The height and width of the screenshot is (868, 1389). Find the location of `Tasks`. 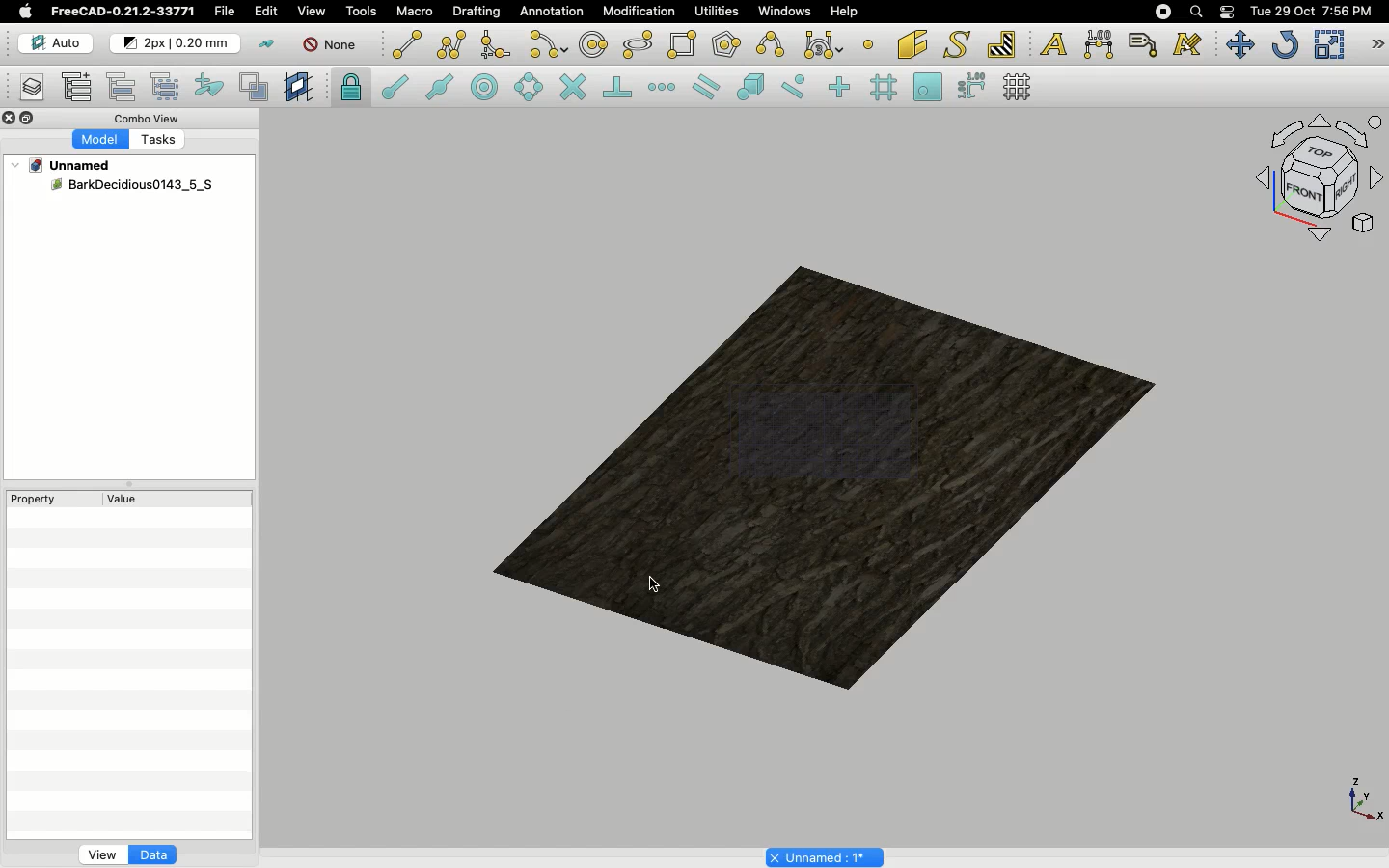

Tasks is located at coordinates (162, 142).